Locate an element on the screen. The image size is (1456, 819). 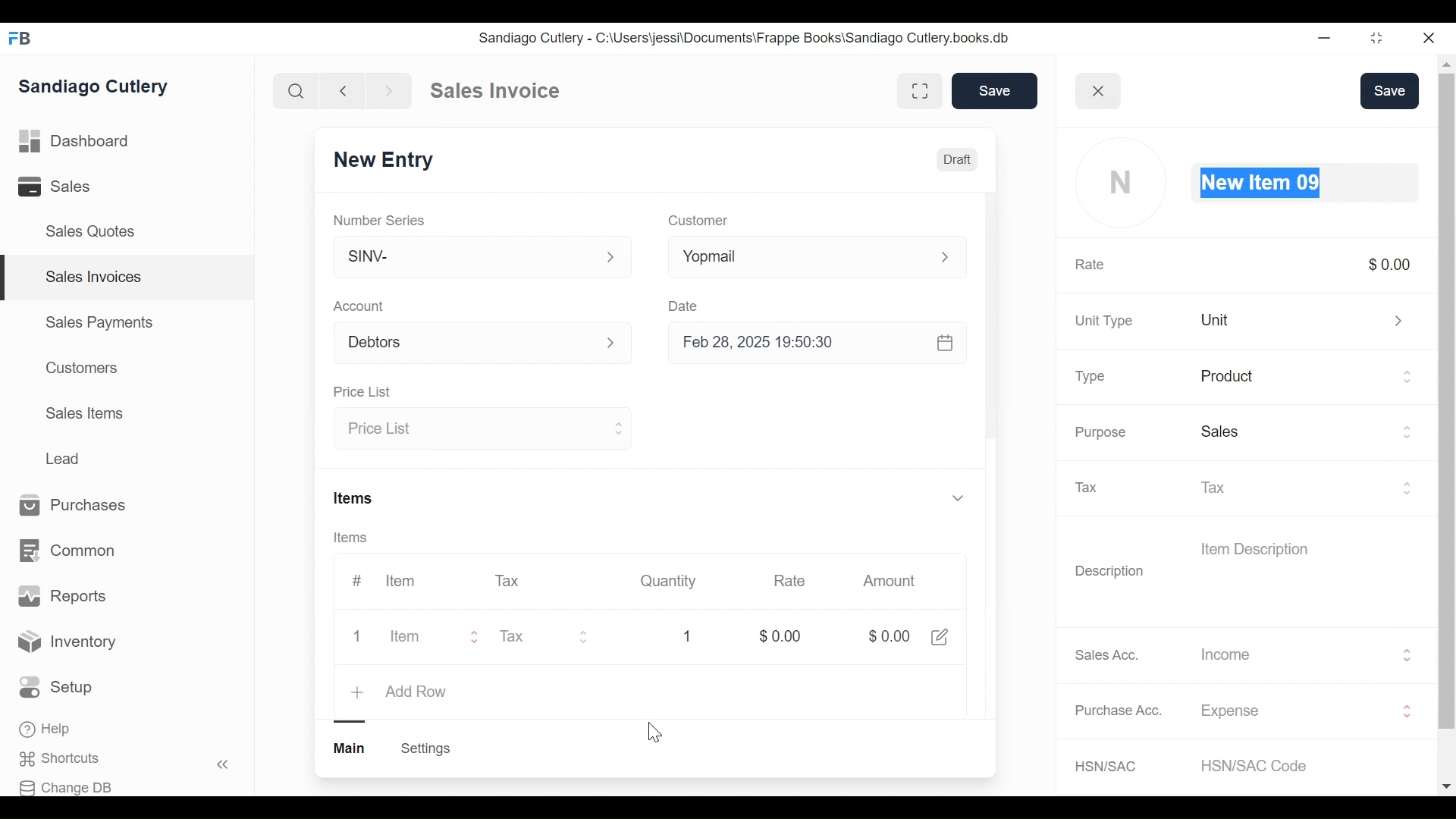
Sales is located at coordinates (57, 186).